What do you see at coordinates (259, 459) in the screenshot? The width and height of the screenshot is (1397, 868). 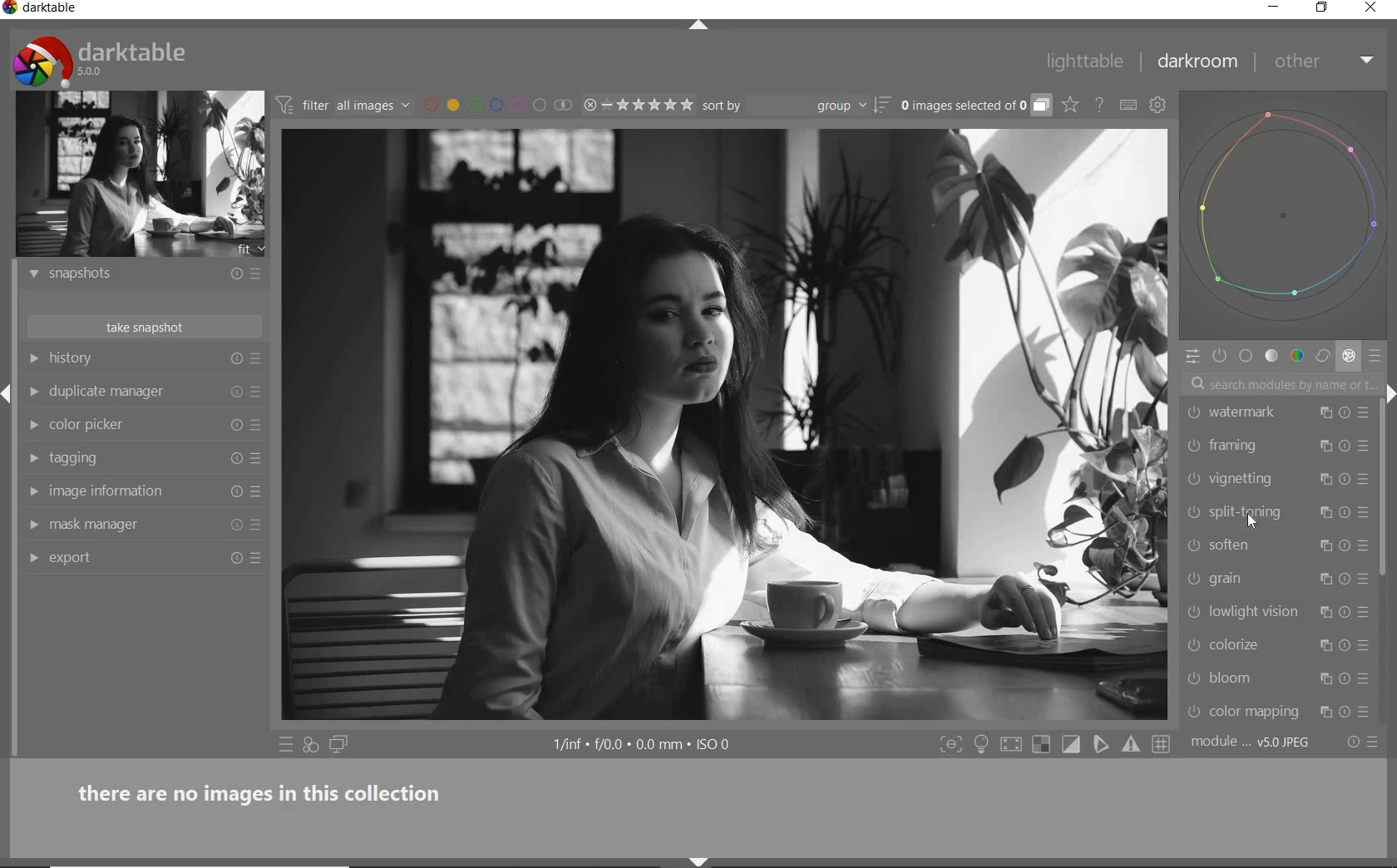 I see `preset and preferences` at bounding box center [259, 459].